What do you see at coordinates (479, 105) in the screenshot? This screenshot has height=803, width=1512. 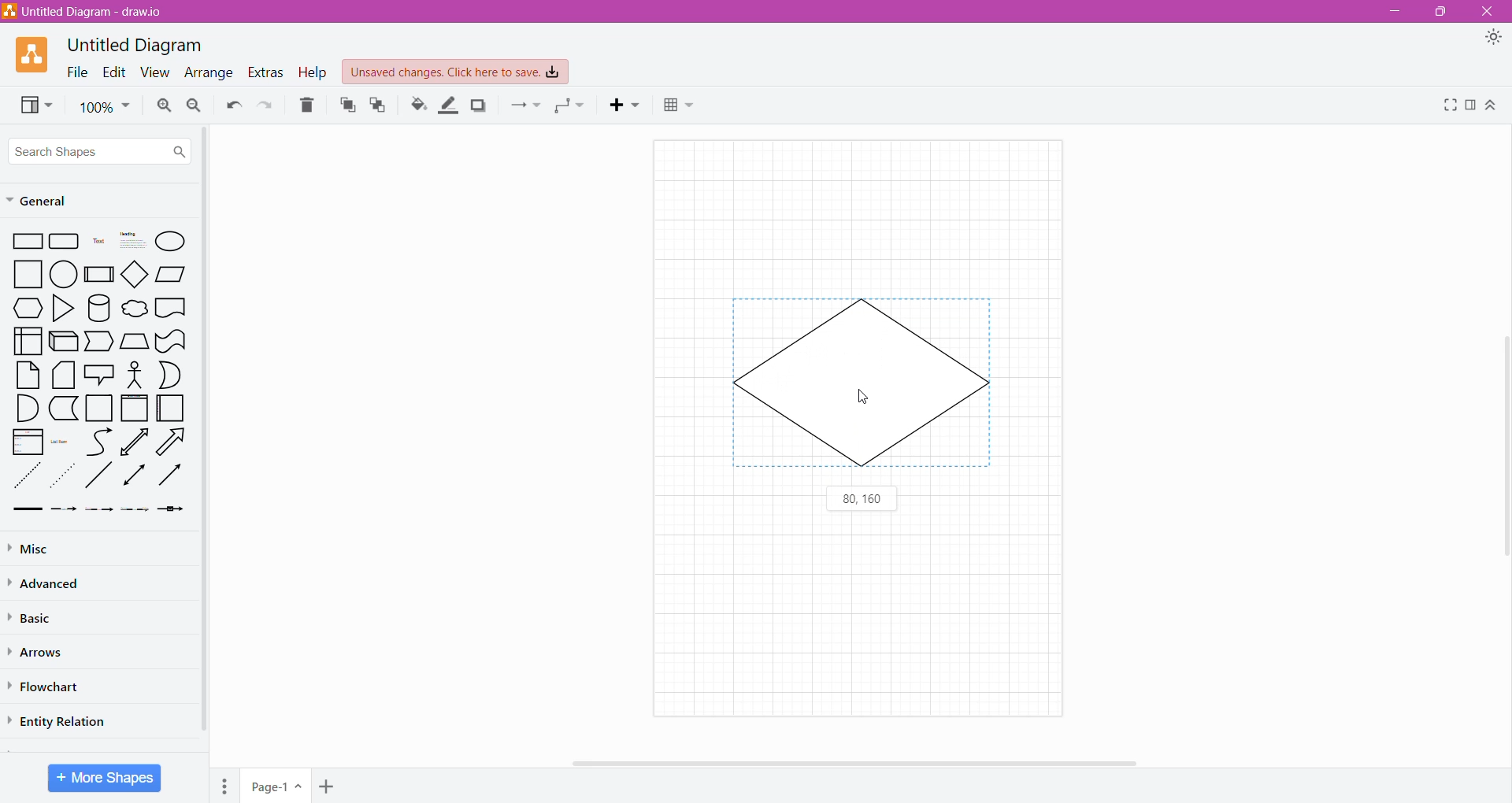 I see `Shadow` at bounding box center [479, 105].